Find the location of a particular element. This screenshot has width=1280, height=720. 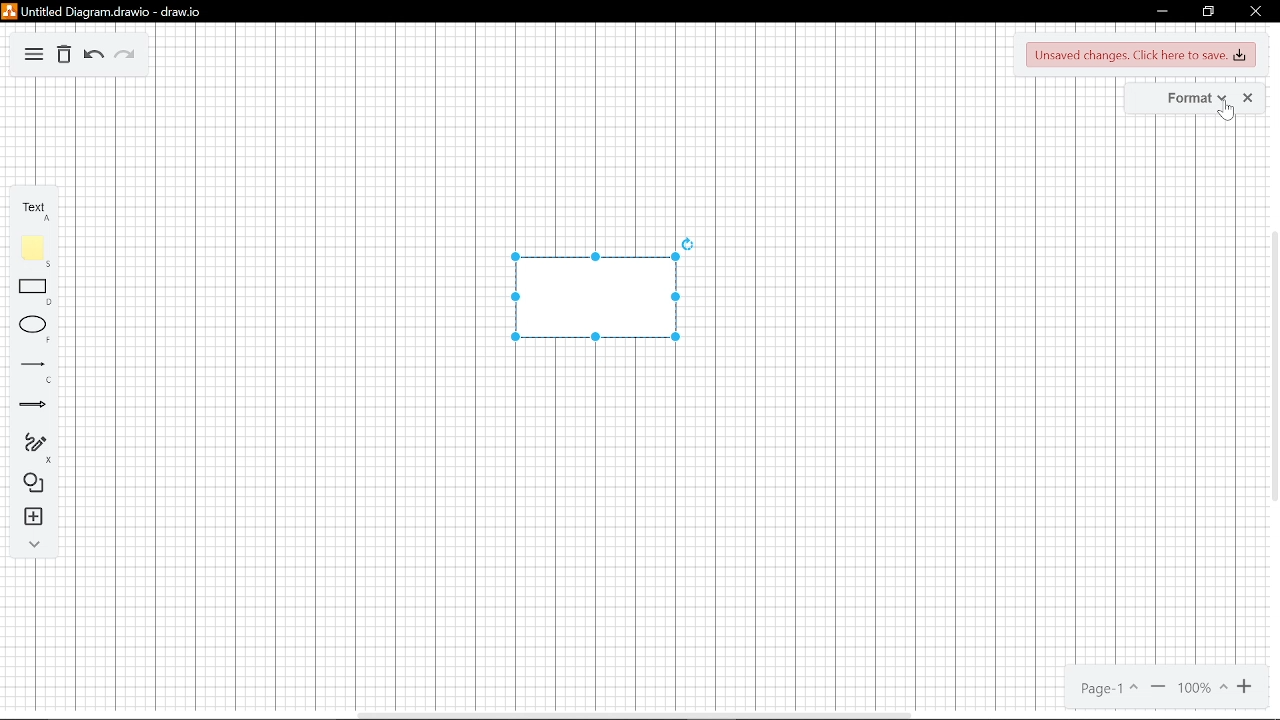

maximize is located at coordinates (1207, 11).